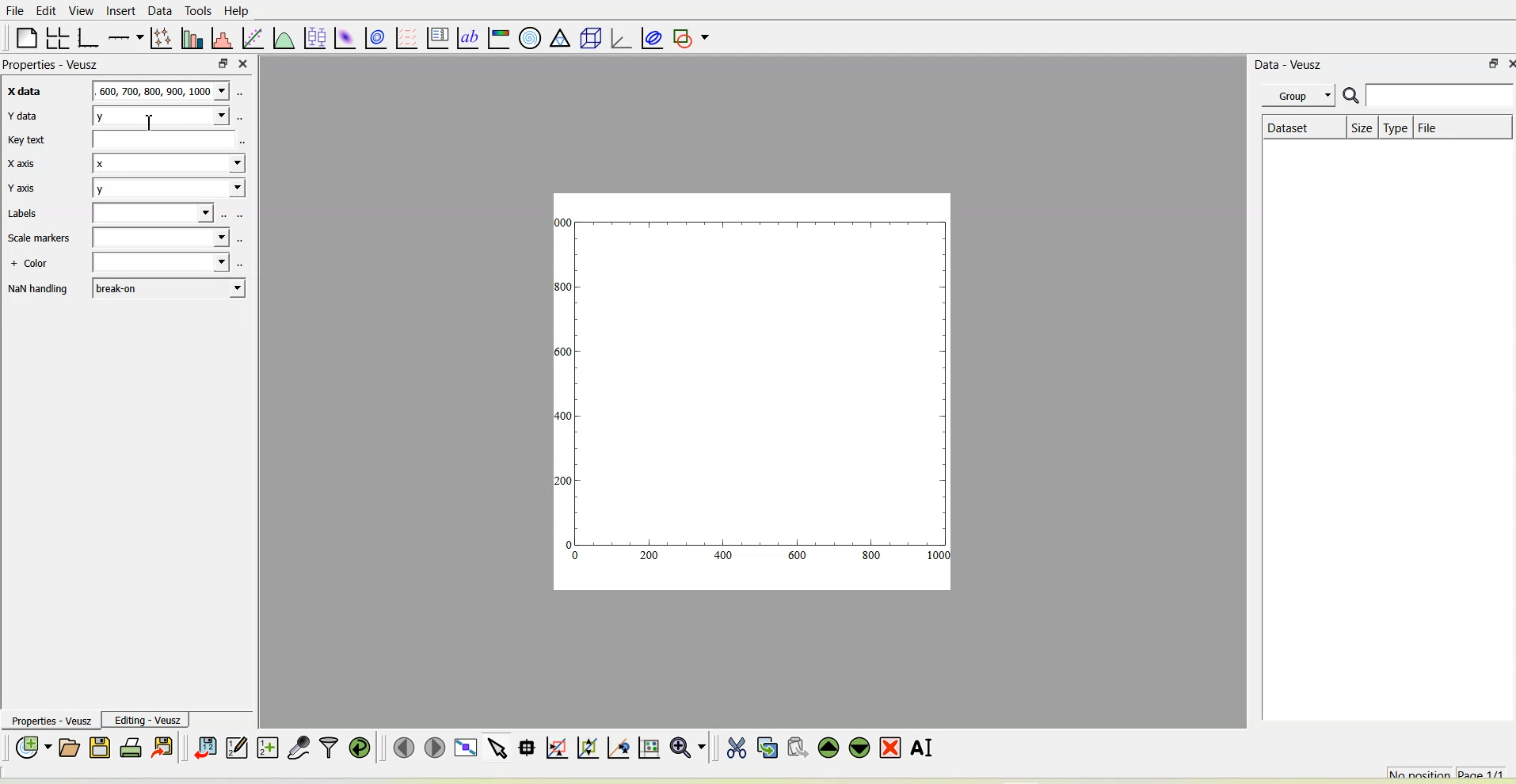 The width and height of the screenshot is (1516, 784). What do you see at coordinates (889, 748) in the screenshot?
I see `Remove the selected widget` at bounding box center [889, 748].